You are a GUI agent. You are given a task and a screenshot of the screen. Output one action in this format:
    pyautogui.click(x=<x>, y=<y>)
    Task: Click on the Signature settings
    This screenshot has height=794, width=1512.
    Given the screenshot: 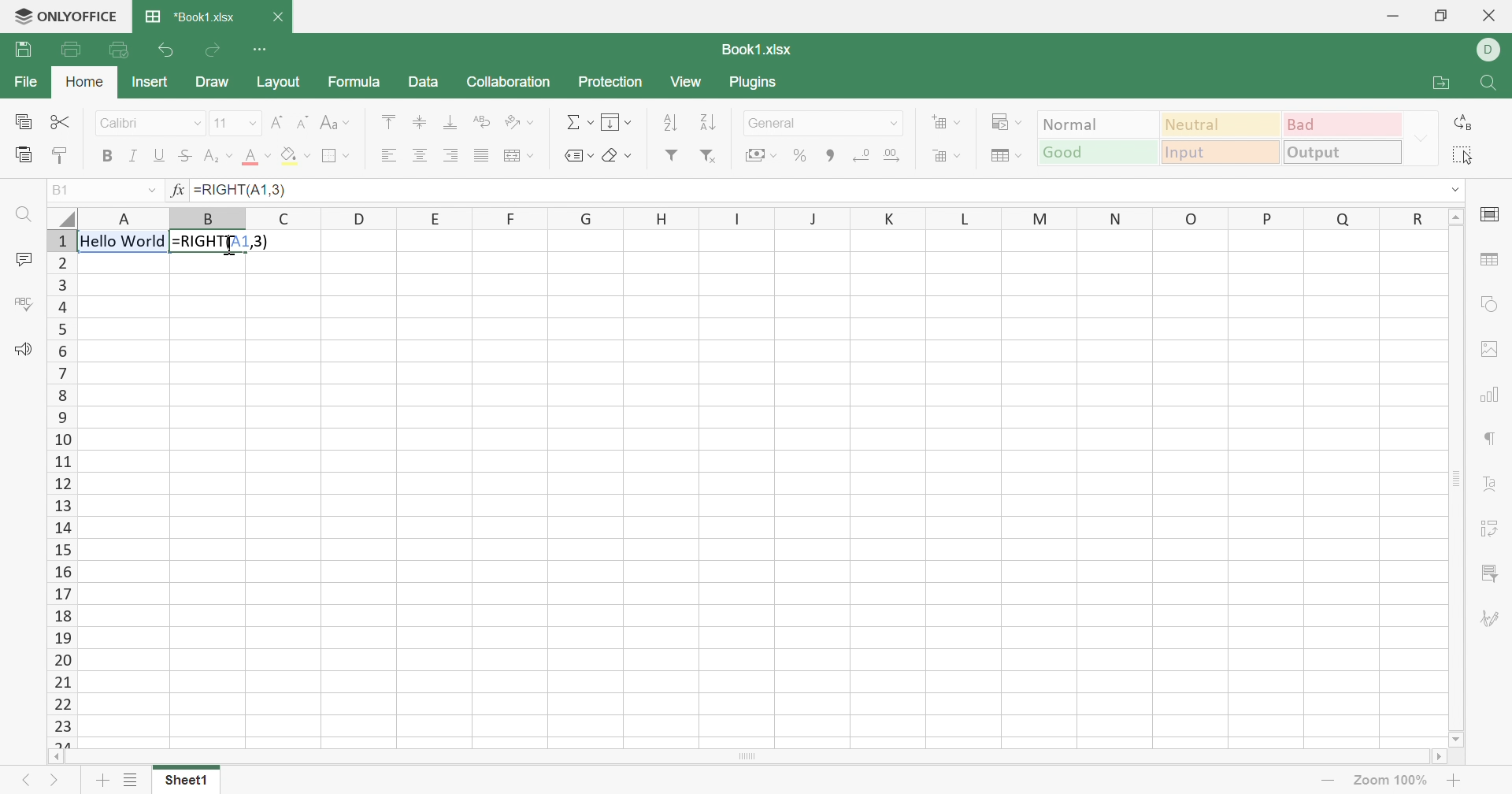 What is the action you would take?
    pyautogui.click(x=1492, y=618)
    